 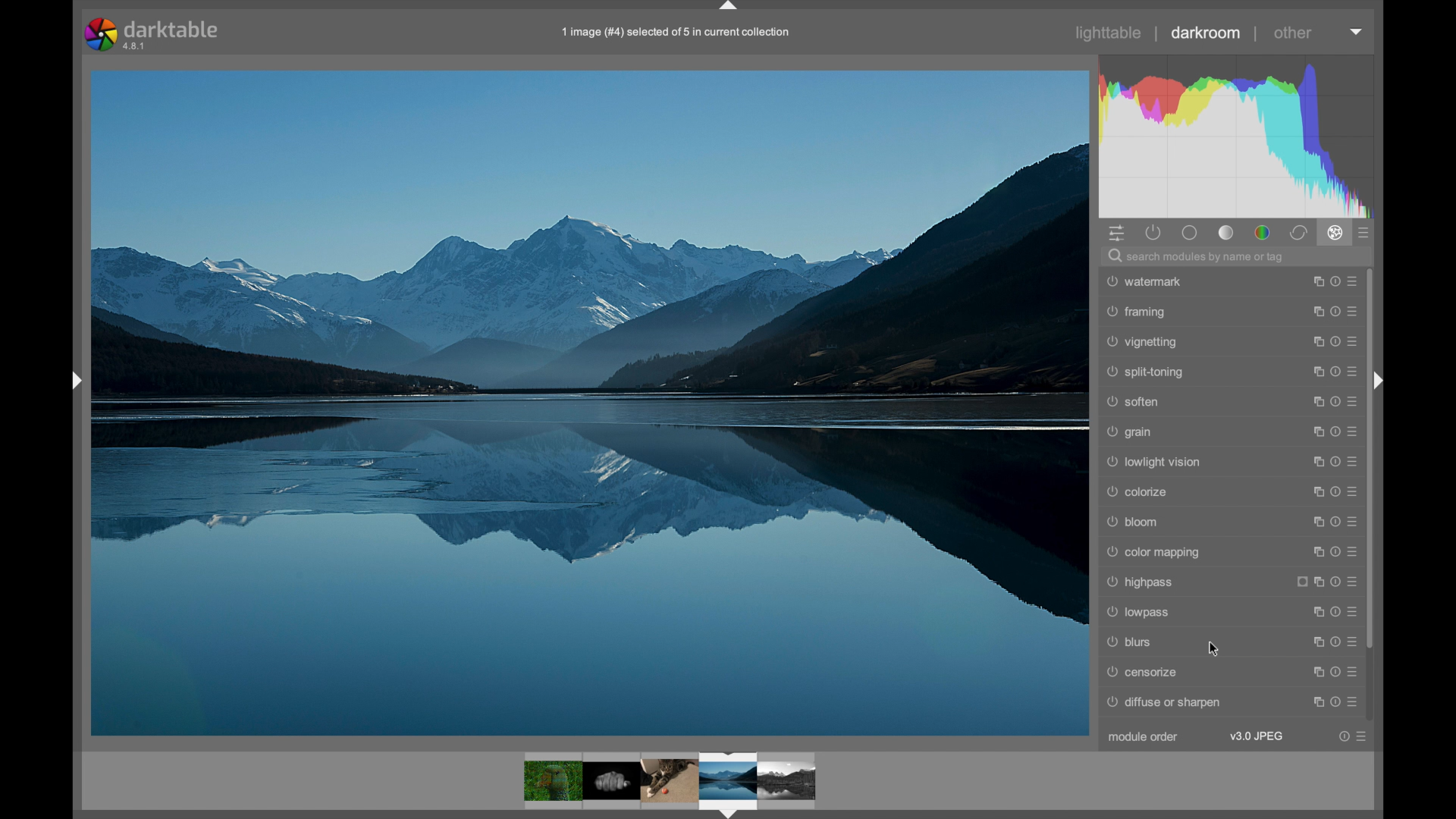 I want to click on framing, so click(x=1137, y=312).